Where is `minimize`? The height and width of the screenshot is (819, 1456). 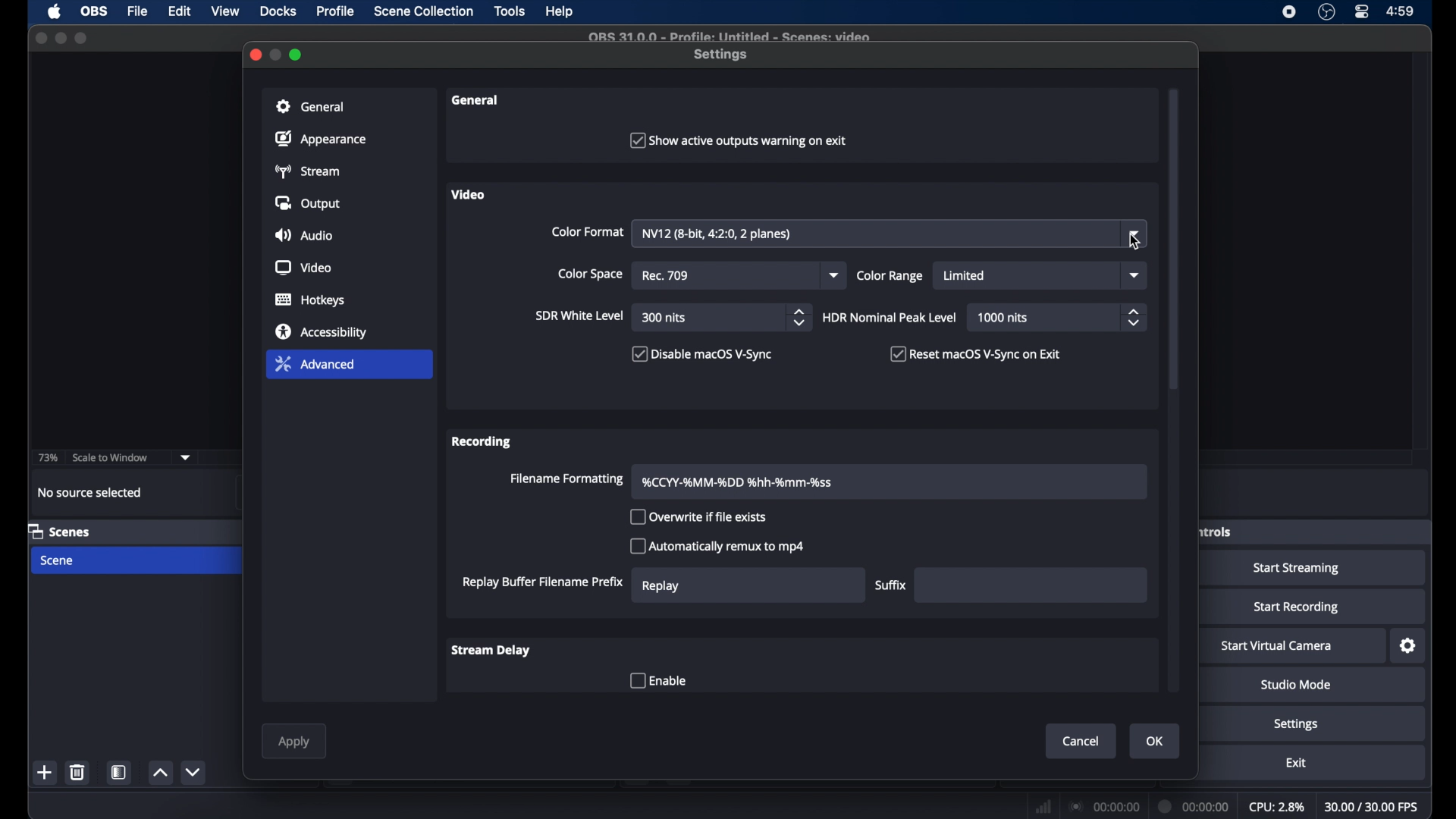
minimize is located at coordinates (277, 54).